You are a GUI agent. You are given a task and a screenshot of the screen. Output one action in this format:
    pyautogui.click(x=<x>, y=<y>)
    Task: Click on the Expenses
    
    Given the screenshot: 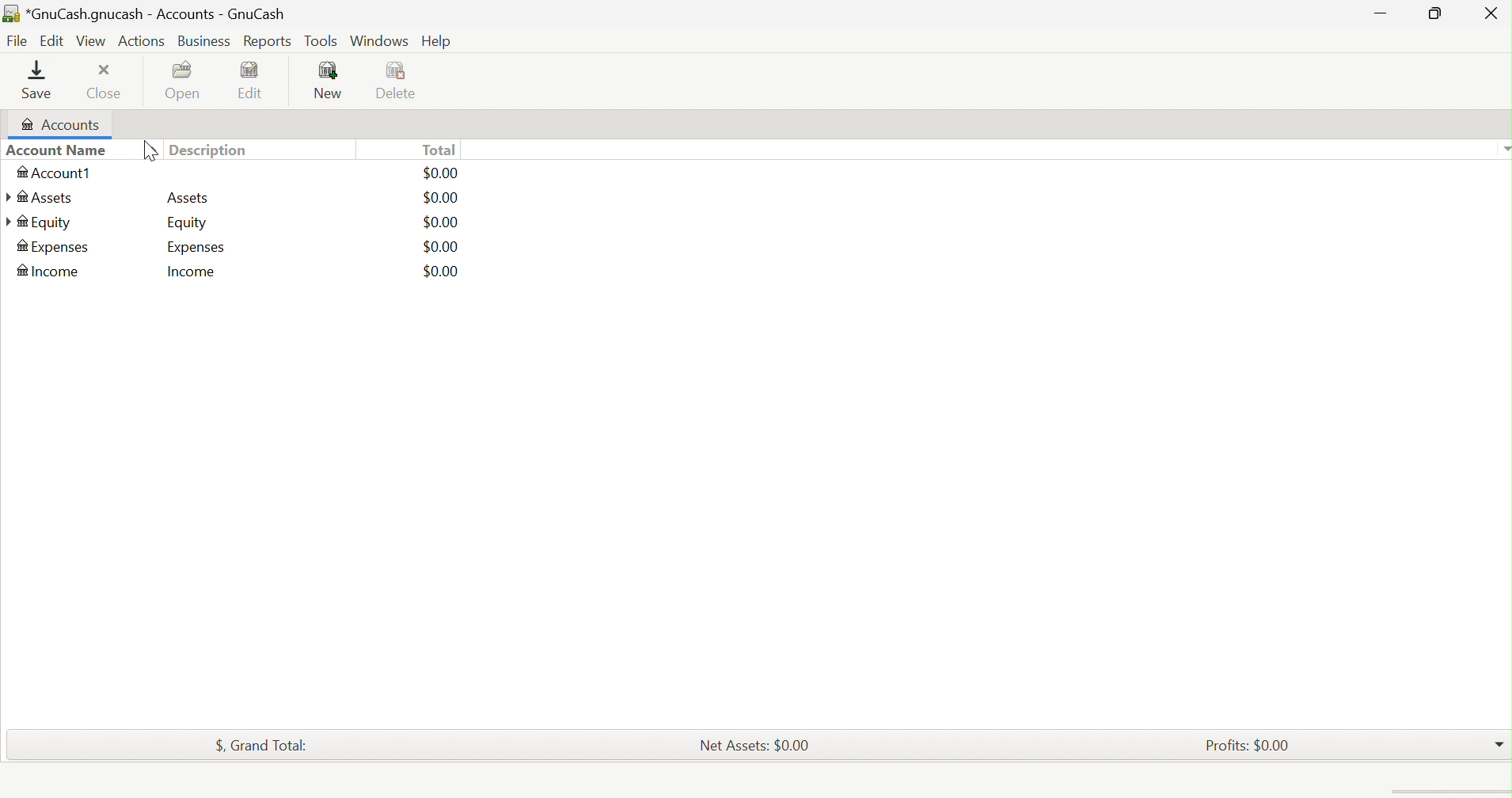 What is the action you would take?
    pyautogui.click(x=197, y=222)
    